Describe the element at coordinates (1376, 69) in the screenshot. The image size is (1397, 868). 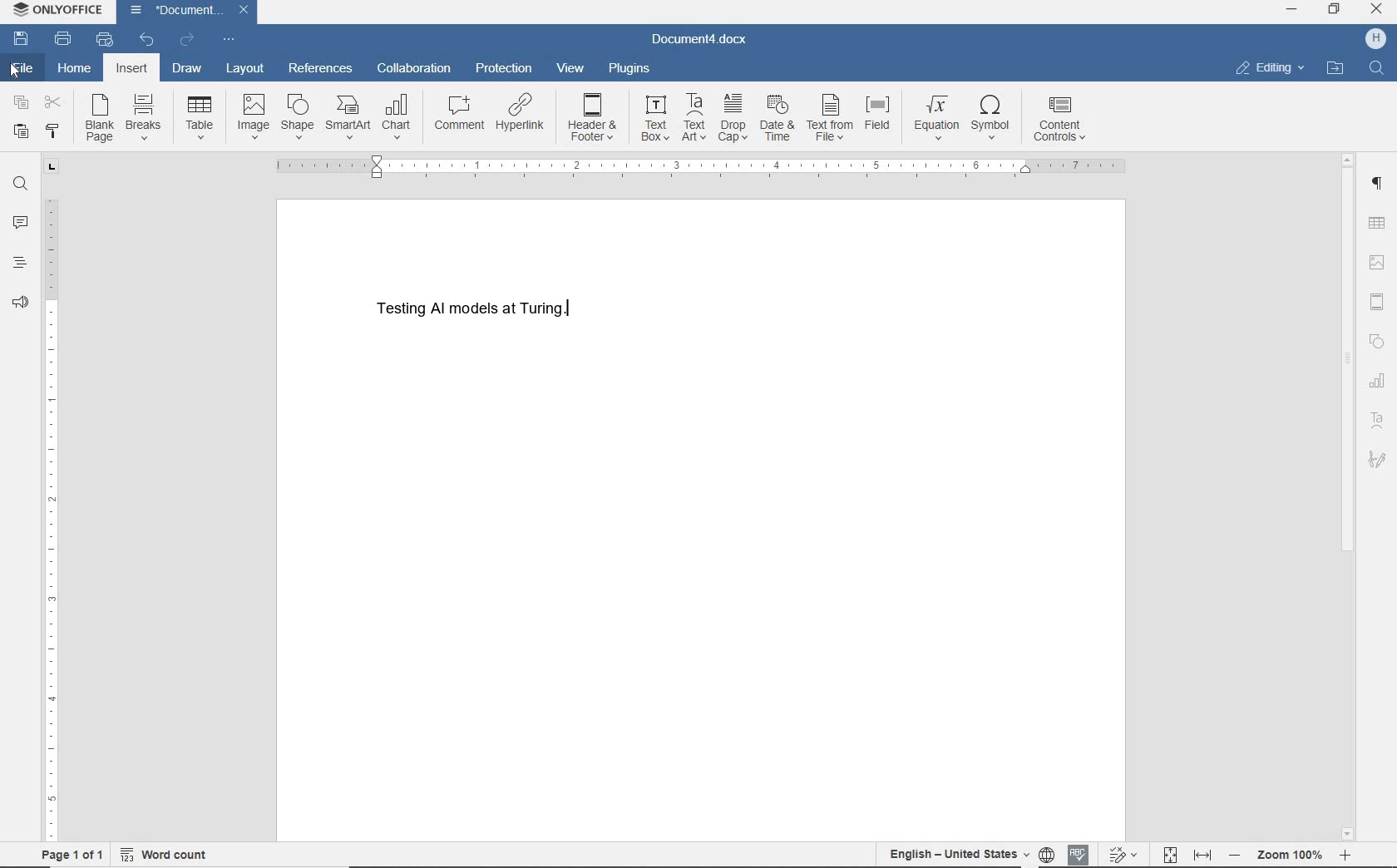
I see `FIND` at that location.